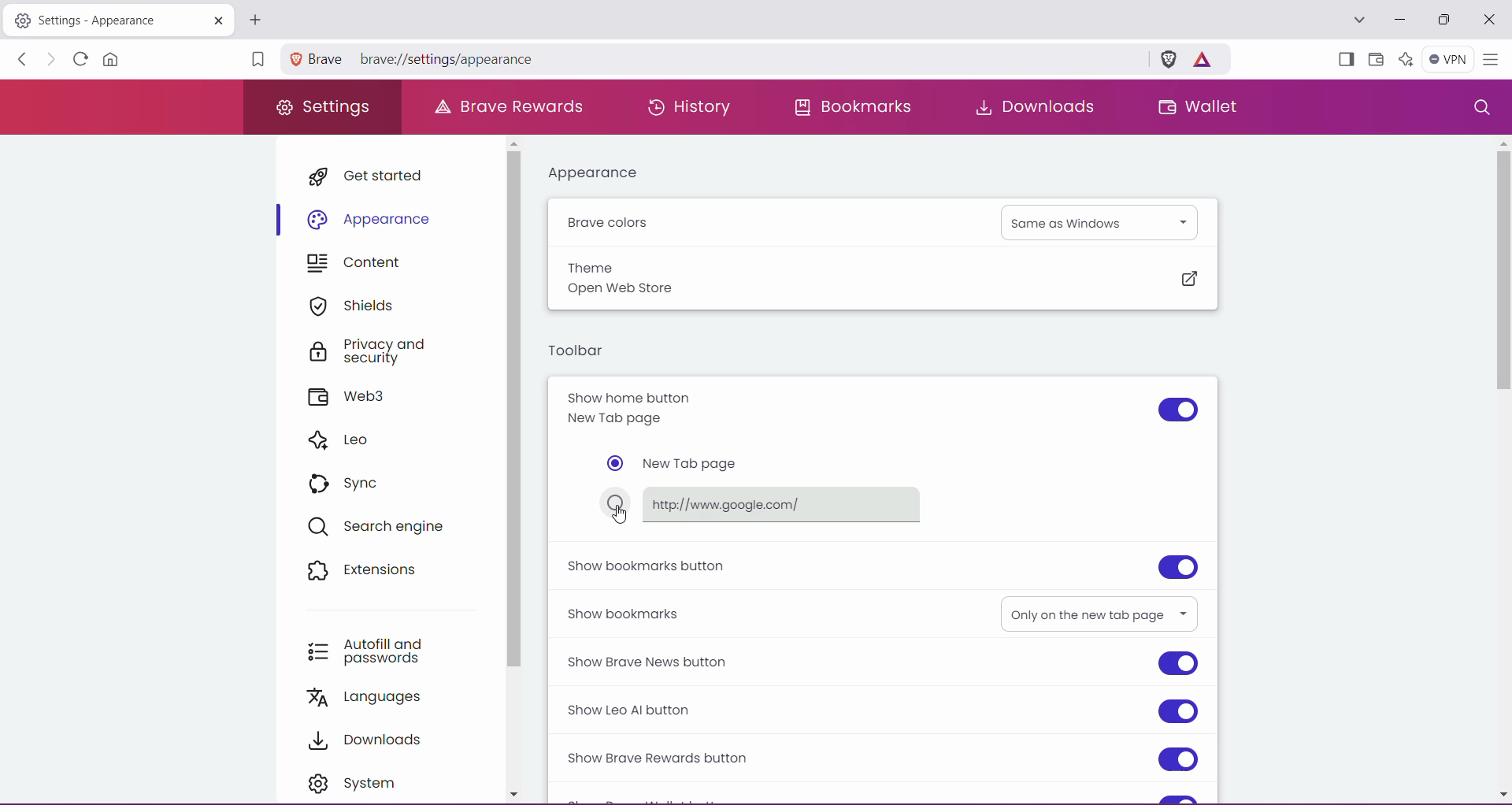 The width and height of the screenshot is (1512, 805). Describe the element at coordinates (256, 61) in the screenshot. I see `Bookmark this Page` at that location.